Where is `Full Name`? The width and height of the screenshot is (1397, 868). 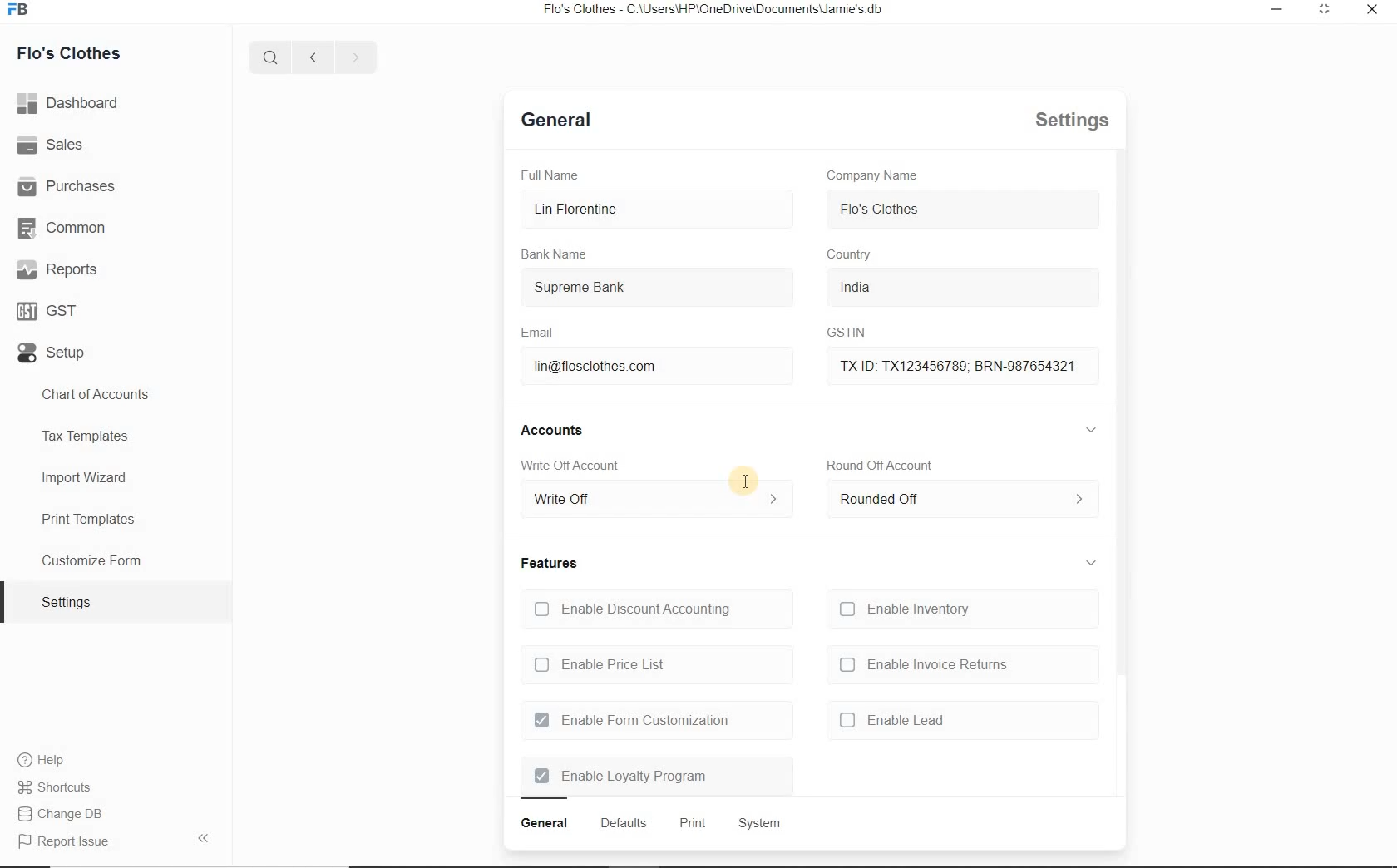
Full Name is located at coordinates (555, 173).